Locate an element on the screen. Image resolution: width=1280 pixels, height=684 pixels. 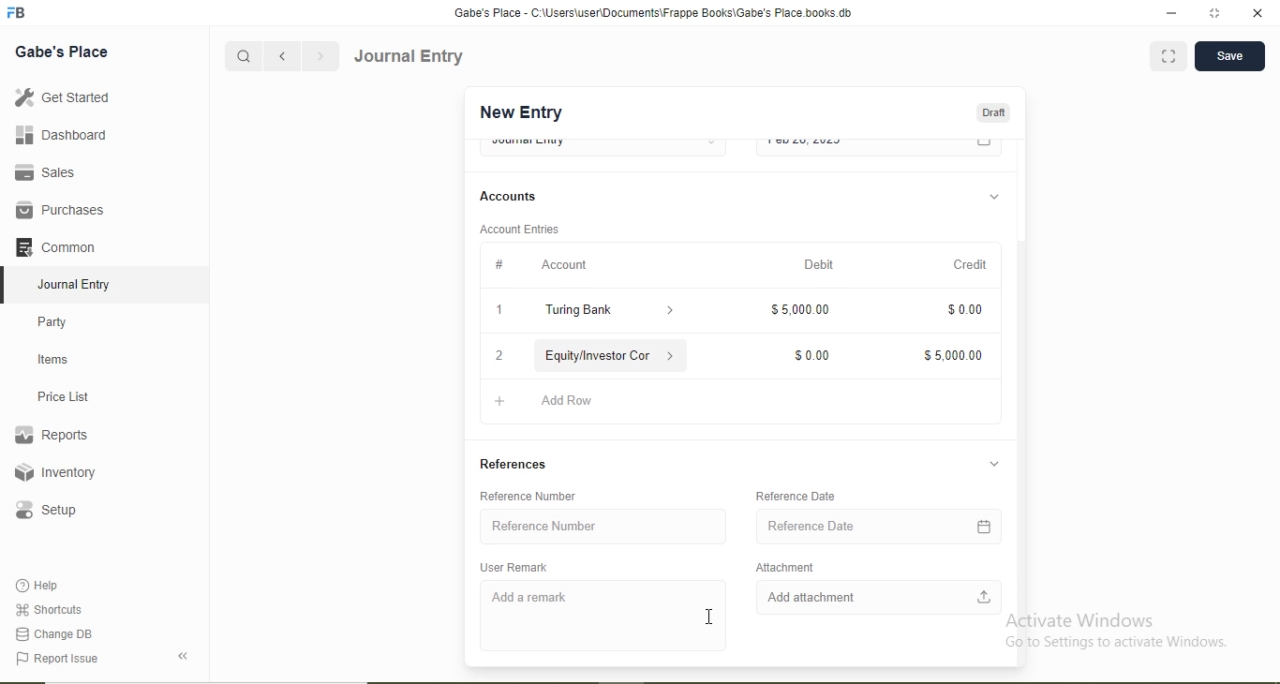
$0.00 is located at coordinates (810, 356).